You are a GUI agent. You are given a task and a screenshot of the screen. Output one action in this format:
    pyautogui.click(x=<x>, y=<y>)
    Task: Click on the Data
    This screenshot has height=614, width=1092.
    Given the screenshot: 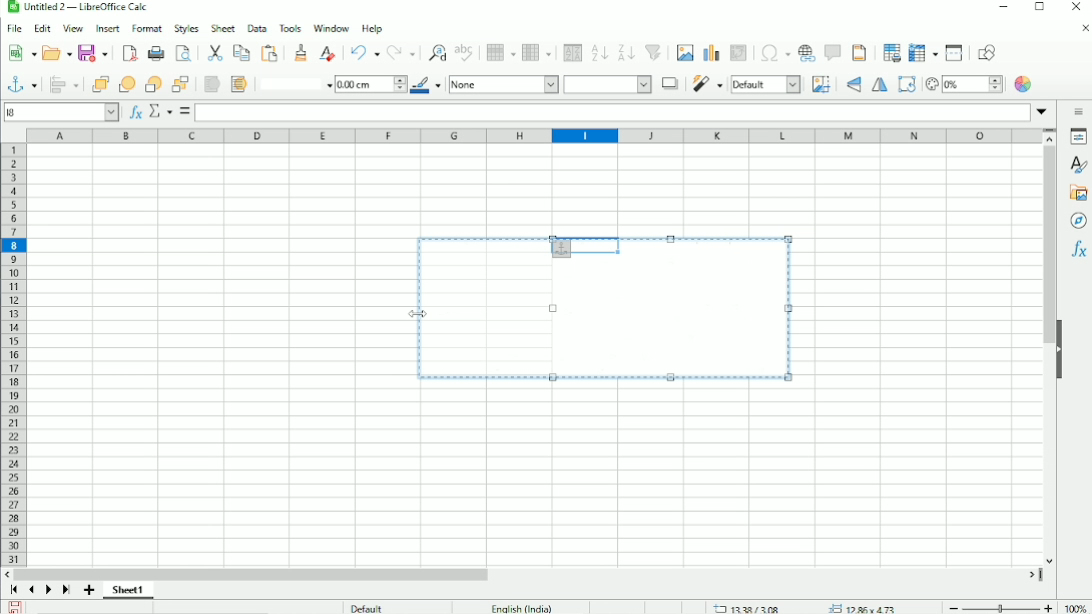 What is the action you would take?
    pyautogui.click(x=256, y=28)
    